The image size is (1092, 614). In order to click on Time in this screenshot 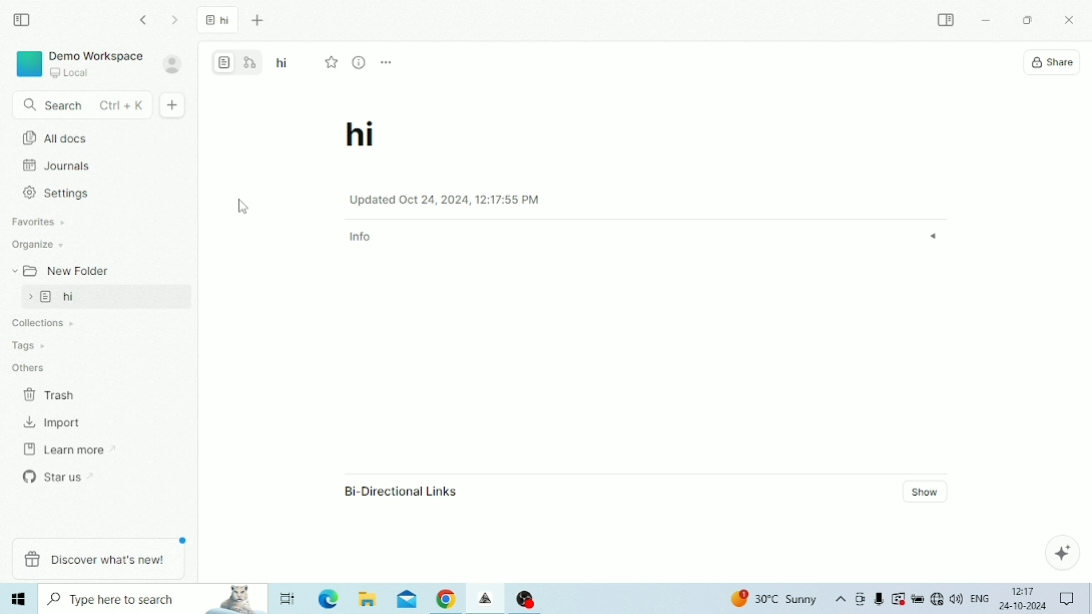, I will do `click(1024, 590)`.